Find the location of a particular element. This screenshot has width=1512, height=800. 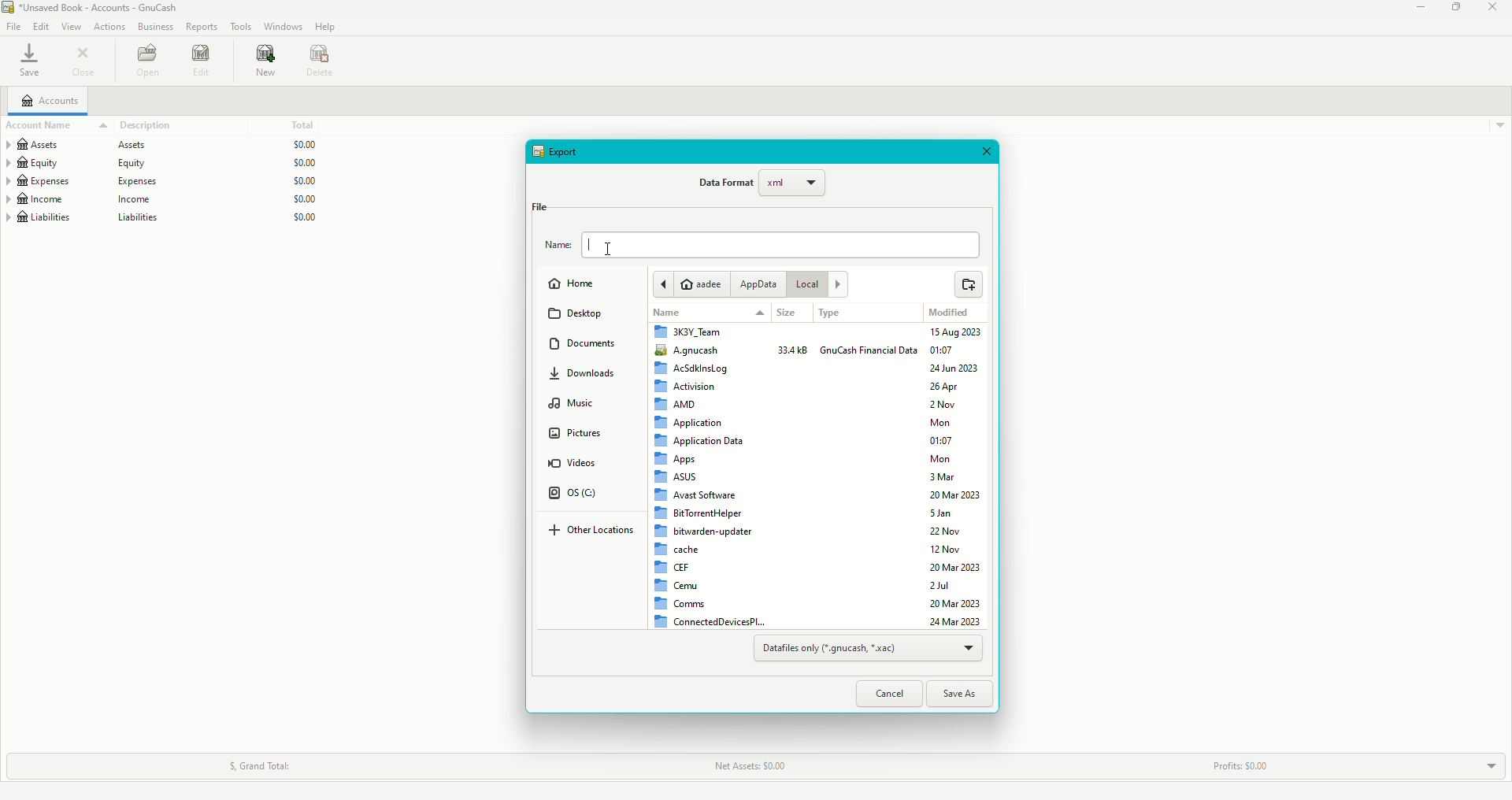

Reports is located at coordinates (202, 28).